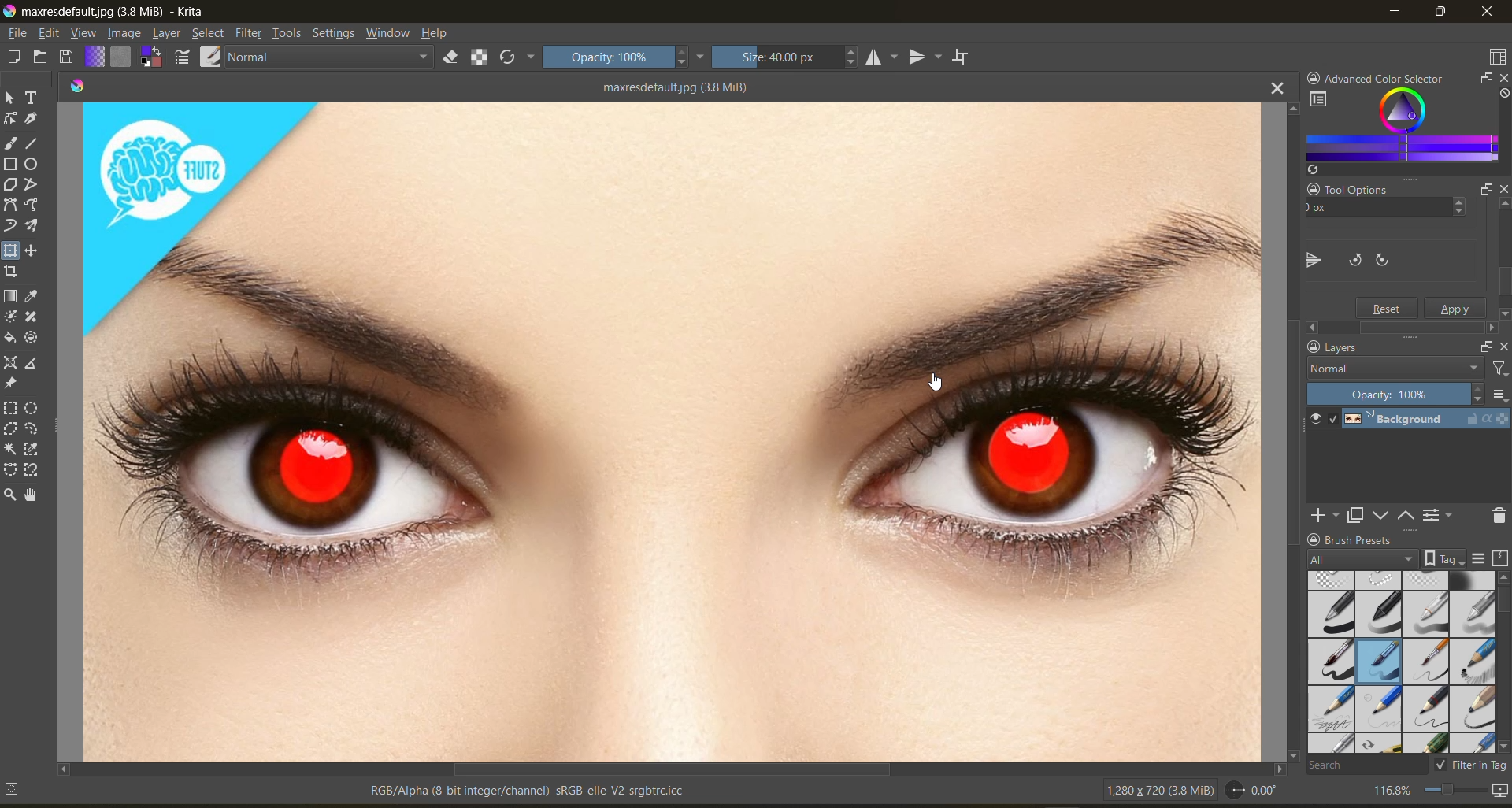 This screenshot has height=808, width=1512. Describe the element at coordinates (670, 87) in the screenshot. I see `maxresdefault.jpg (3.8 MiB)` at that location.